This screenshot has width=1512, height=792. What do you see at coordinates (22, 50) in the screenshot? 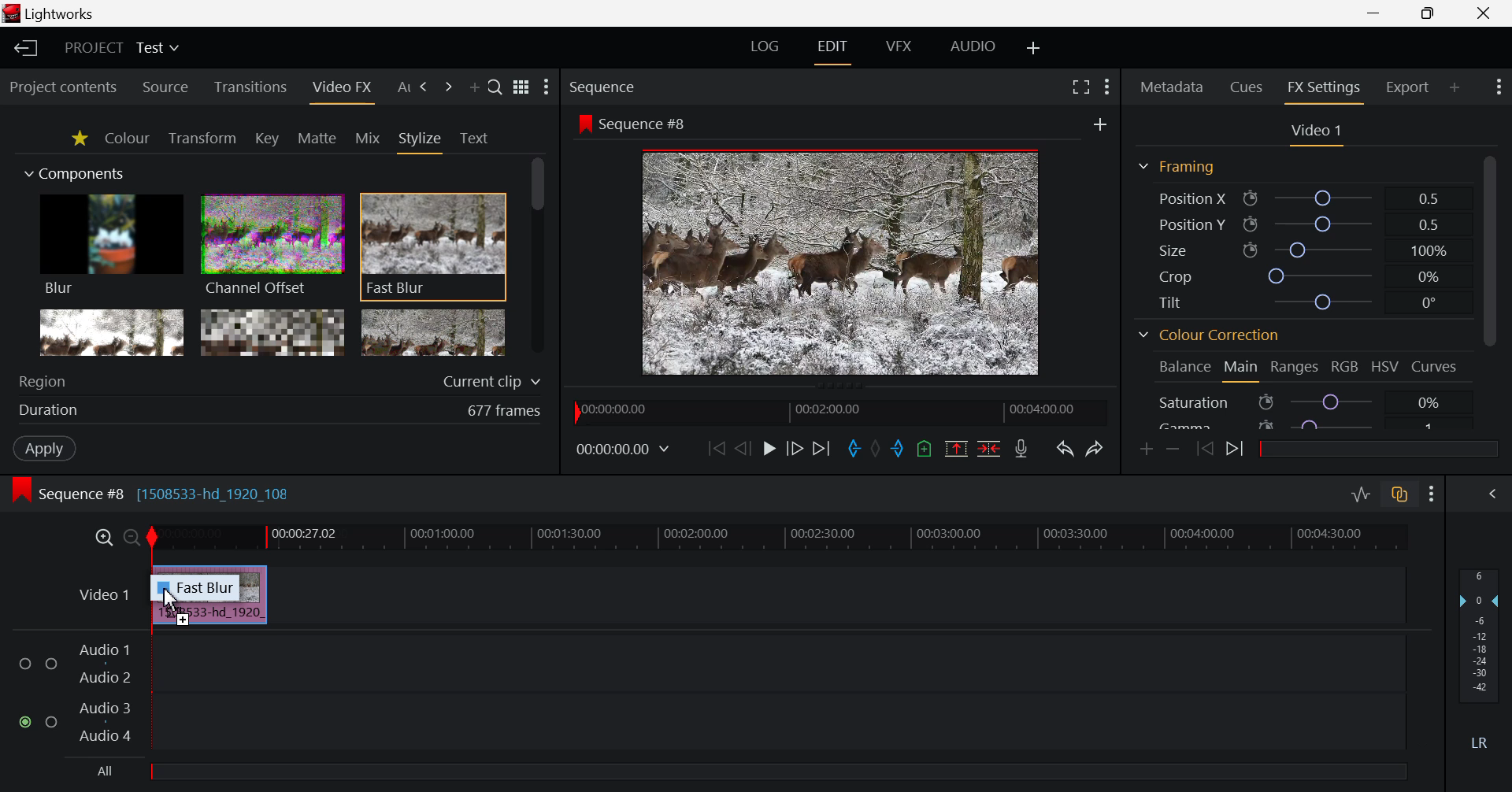
I see `Back to Homepage` at bounding box center [22, 50].